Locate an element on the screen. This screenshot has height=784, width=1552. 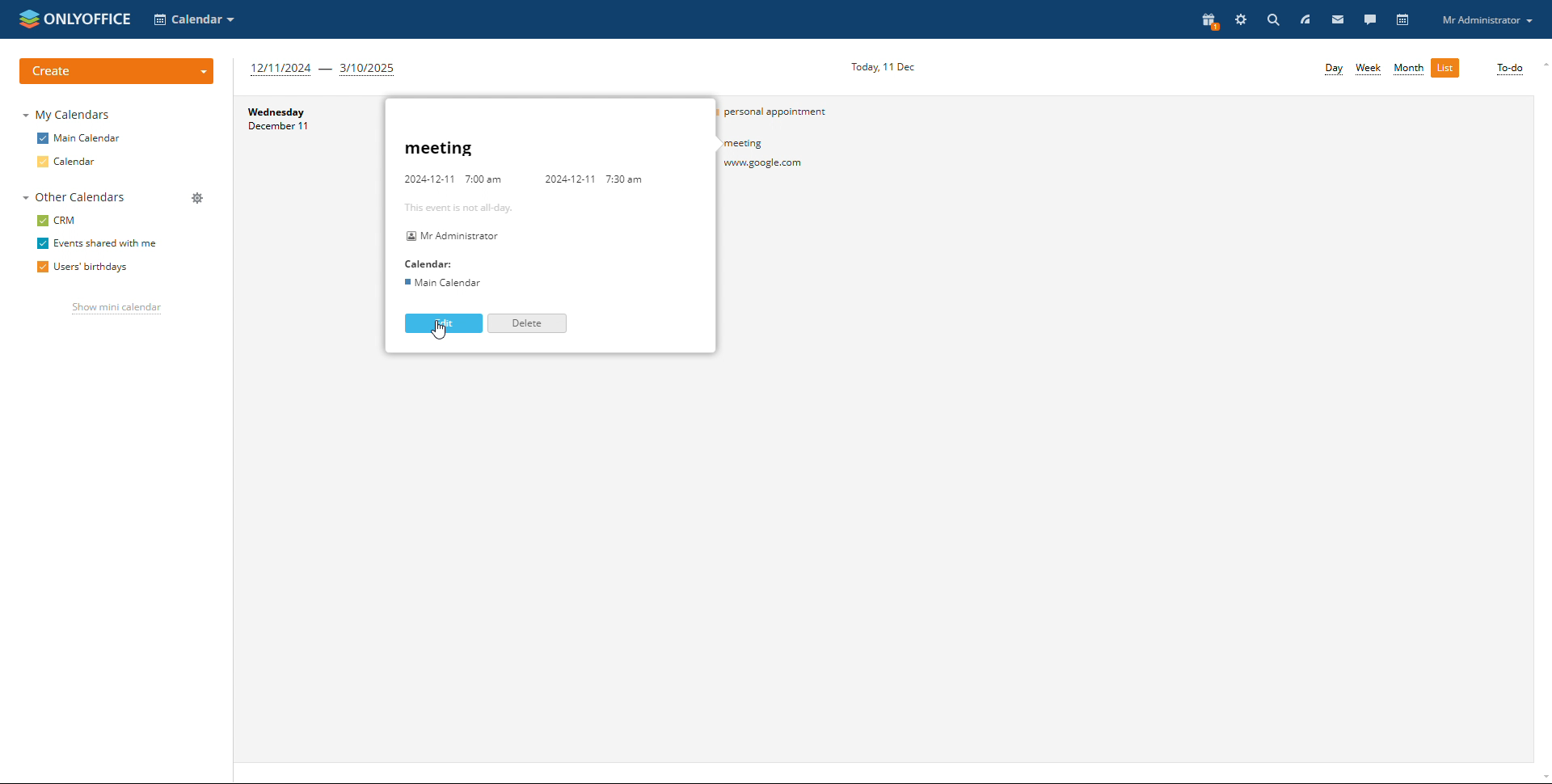
to-do is located at coordinates (1510, 70).